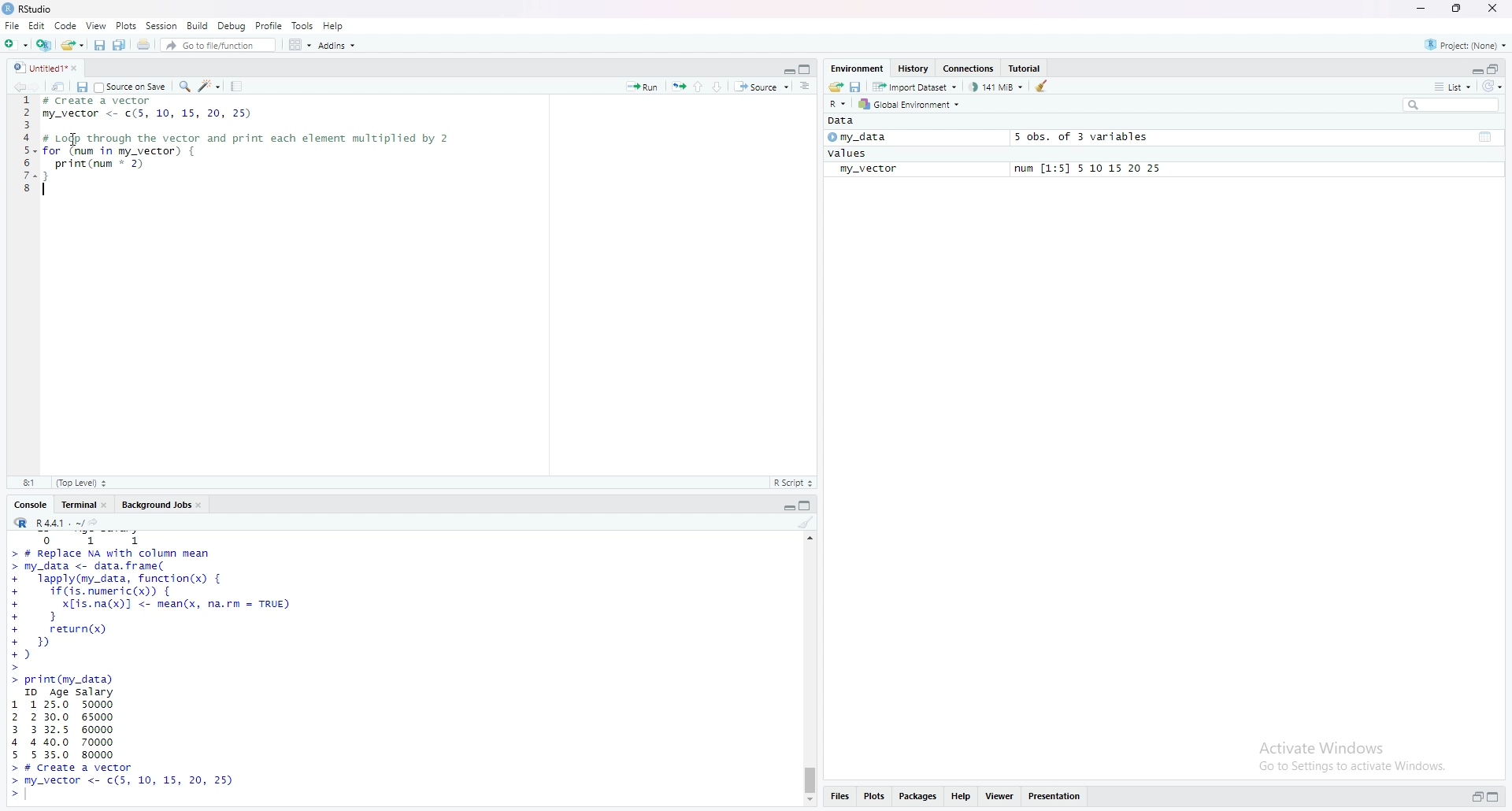 The height and width of the screenshot is (811, 1512). Describe the element at coordinates (795, 483) in the screenshot. I see `R Script ` at that location.